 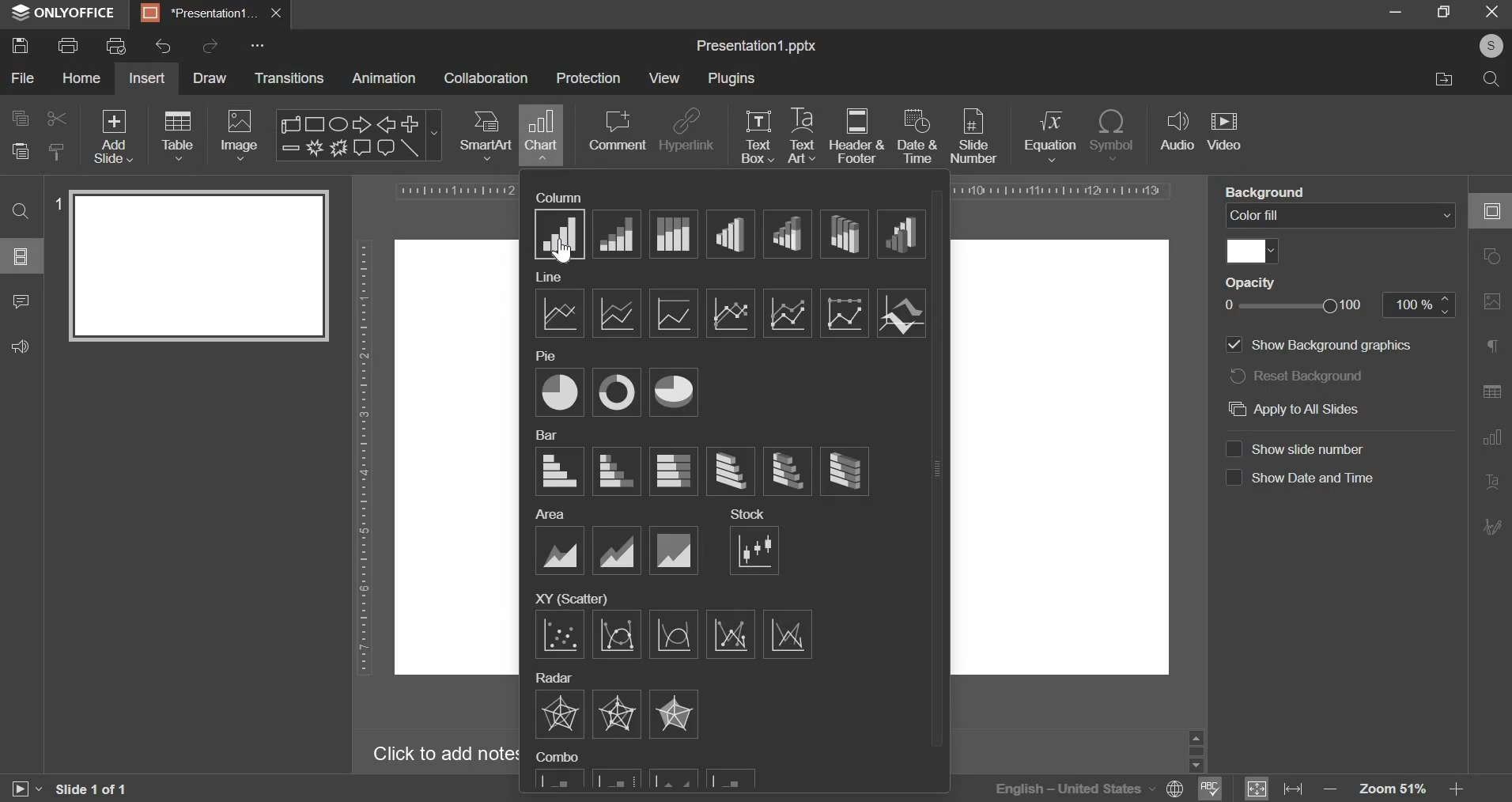 I want to click on exit, so click(x=276, y=12).